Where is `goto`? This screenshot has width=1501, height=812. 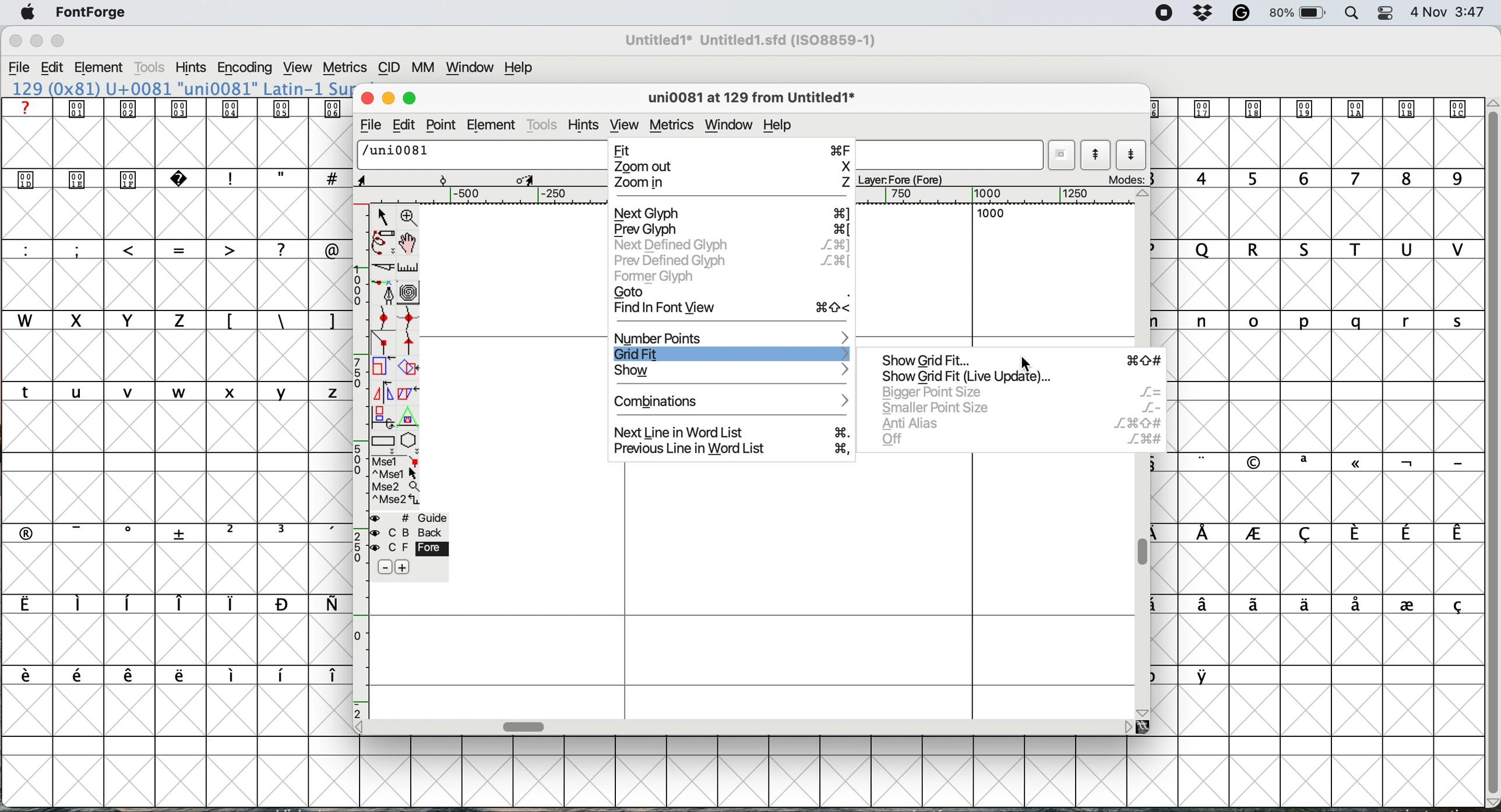 goto is located at coordinates (732, 291).